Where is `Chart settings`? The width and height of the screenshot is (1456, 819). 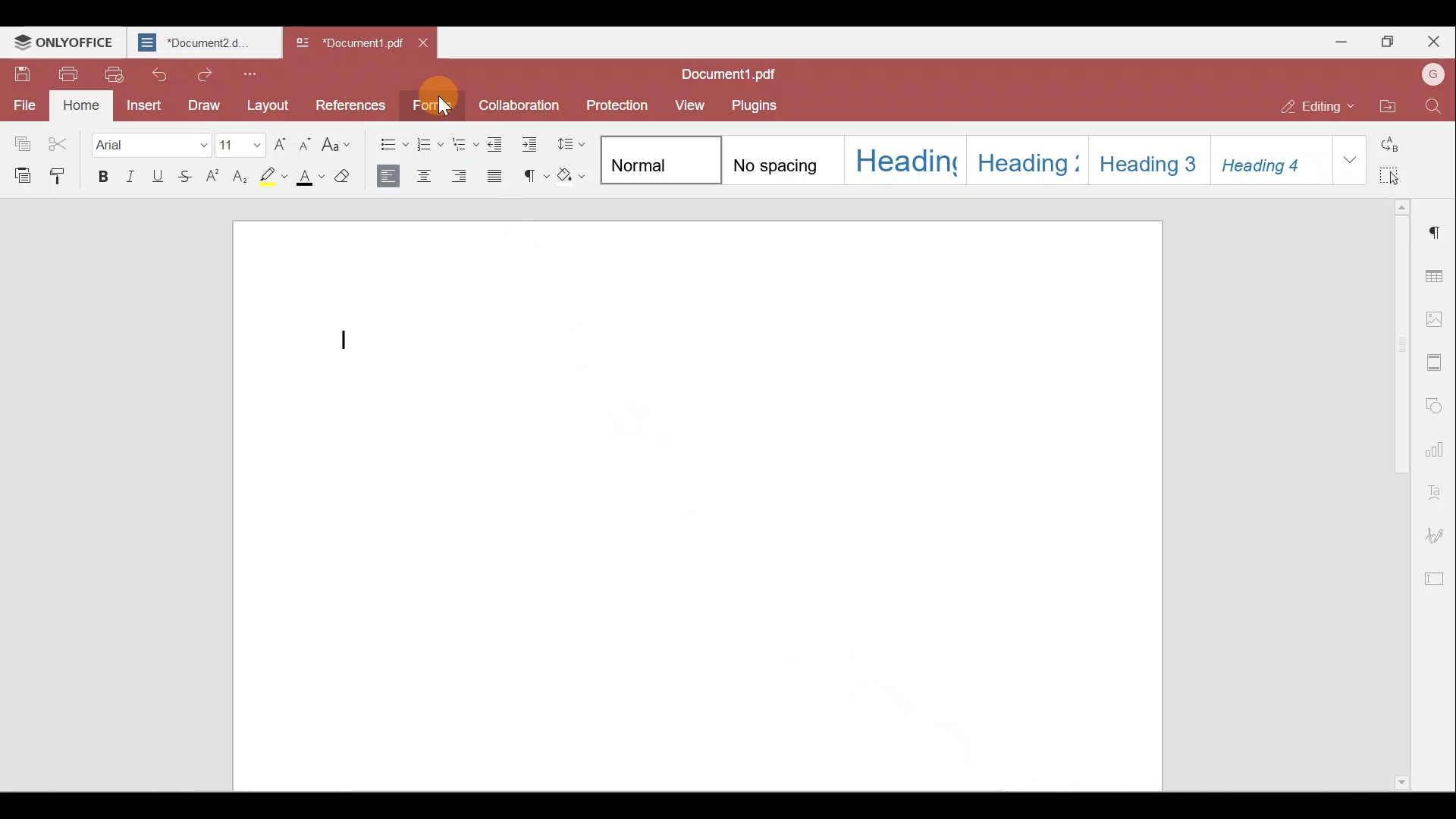 Chart settings is located at coordinates (1437, 448).